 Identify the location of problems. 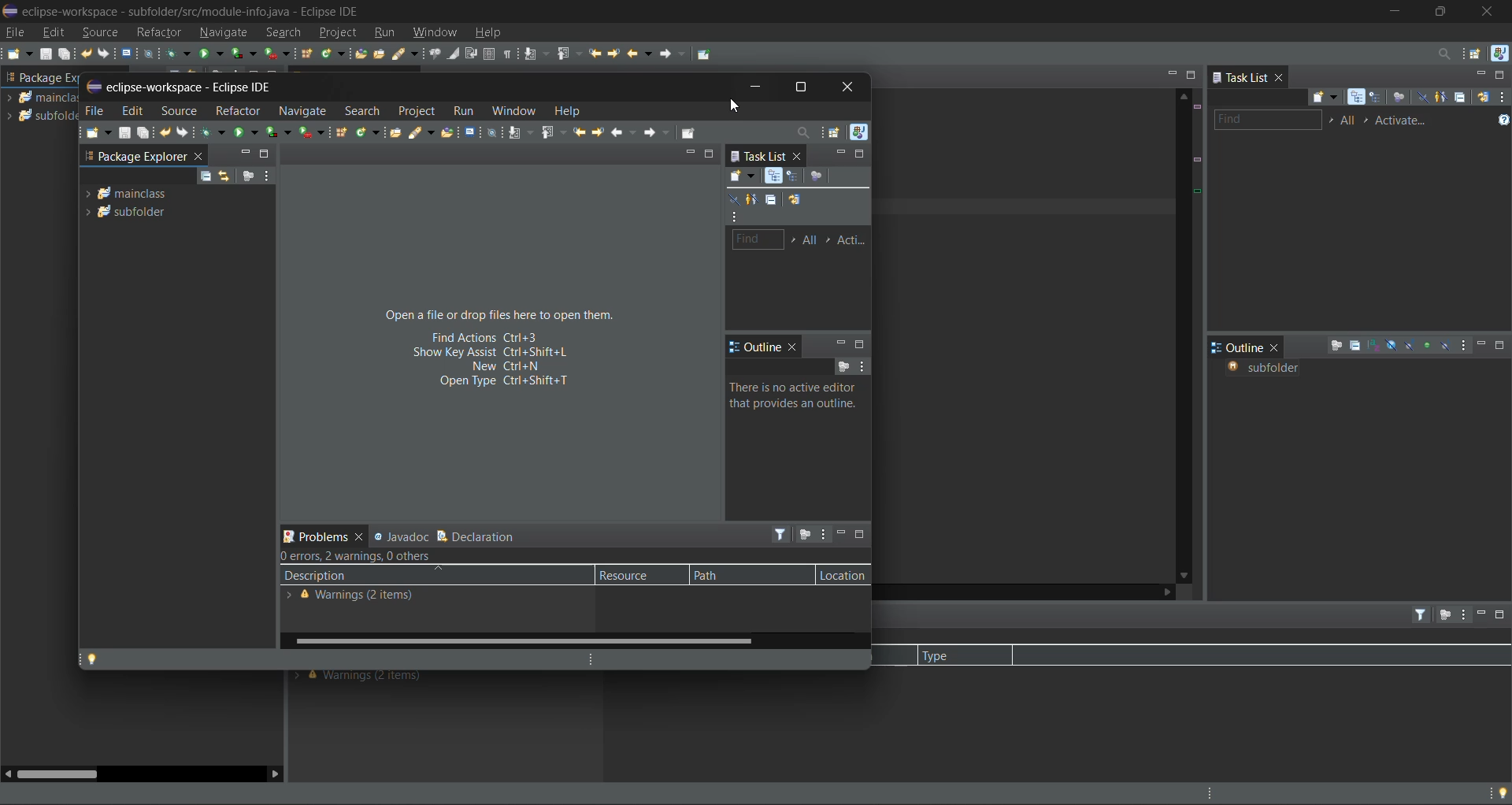
(318, 536).